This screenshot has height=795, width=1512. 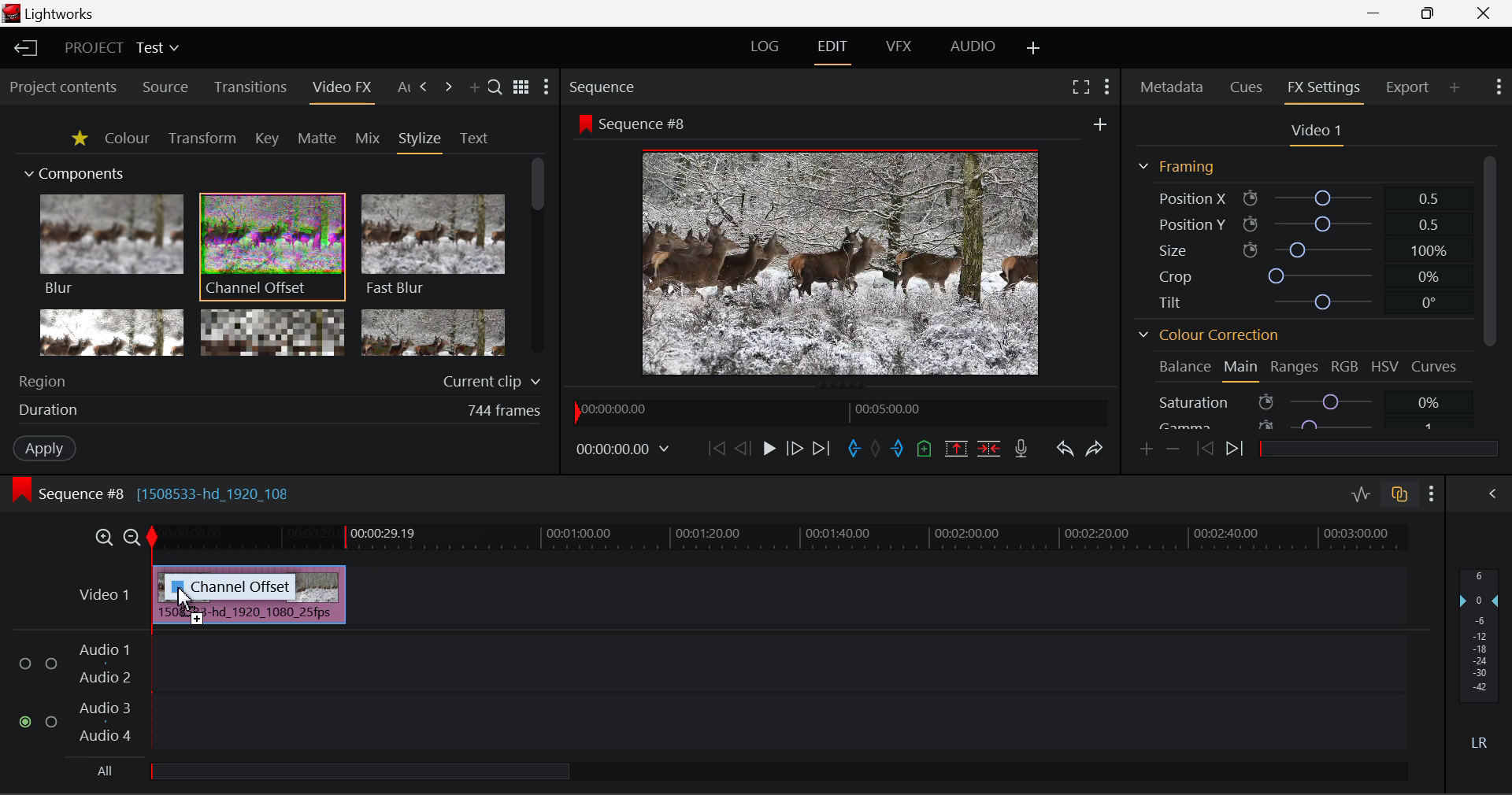 What do you see at coordinates (65, 493) in the screenshot?
I see `Sequence Editing Level` at bounding box center [65, 493].